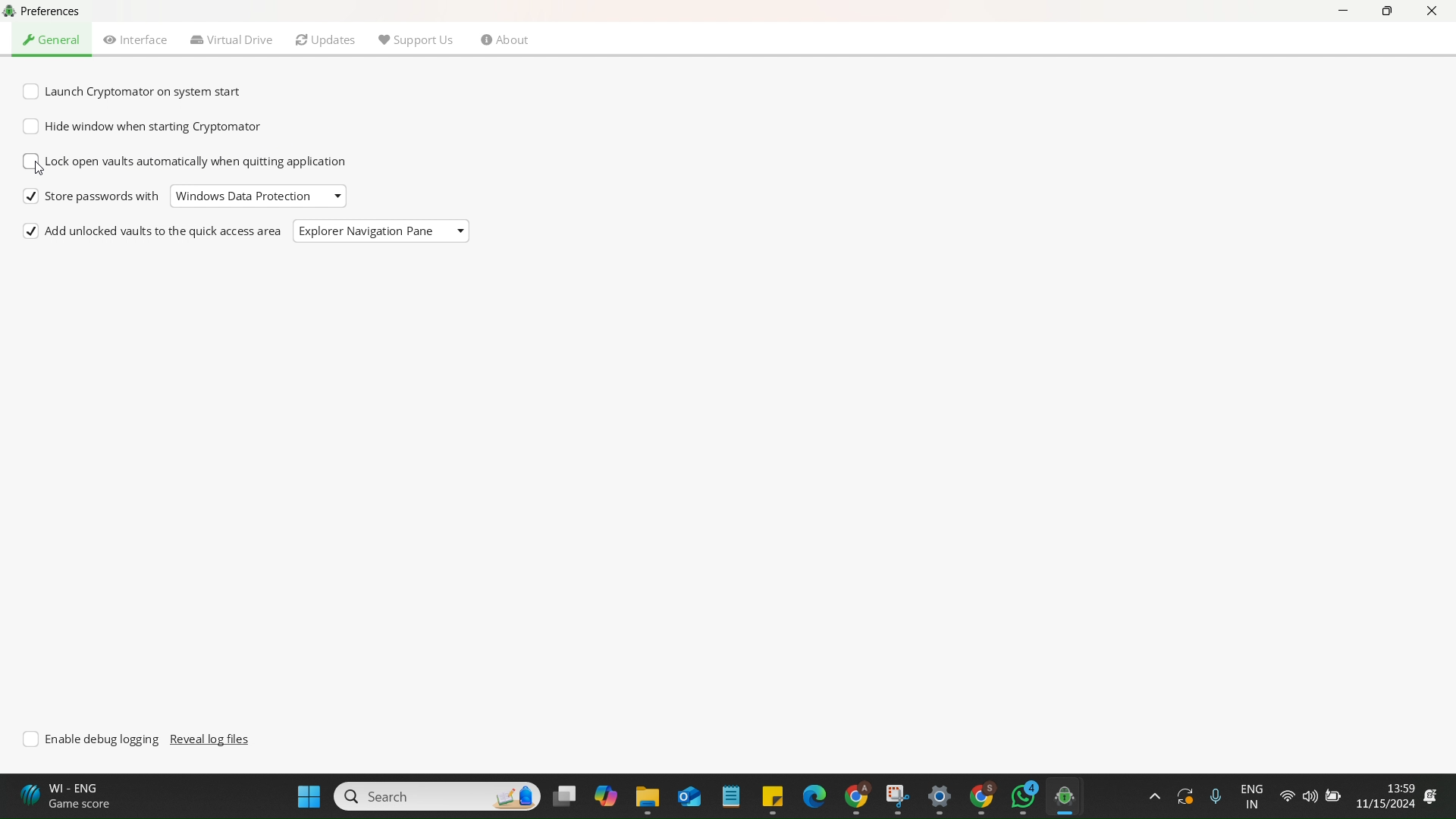 This screenshot has height=819, width=1456. Describe the element at coordinates (1287, 797) in the screenshot. I see `Wifi` at that location.